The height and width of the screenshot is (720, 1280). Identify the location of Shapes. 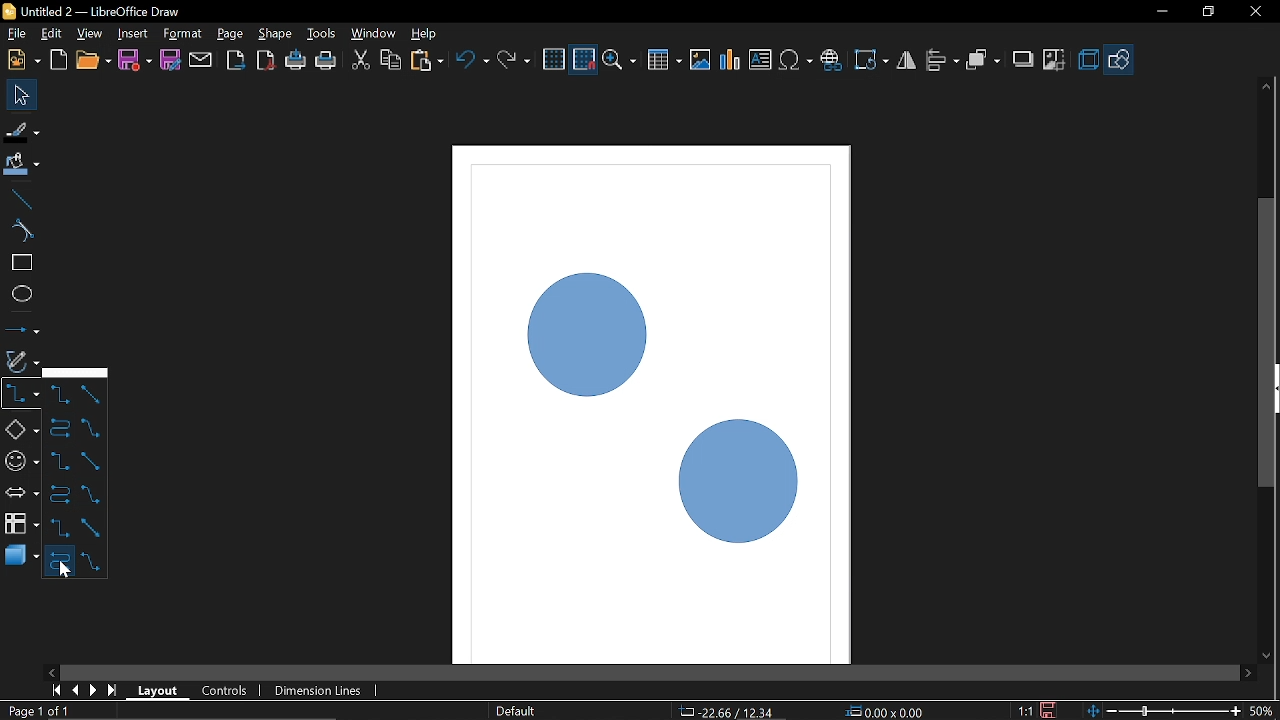
(1121, 58).